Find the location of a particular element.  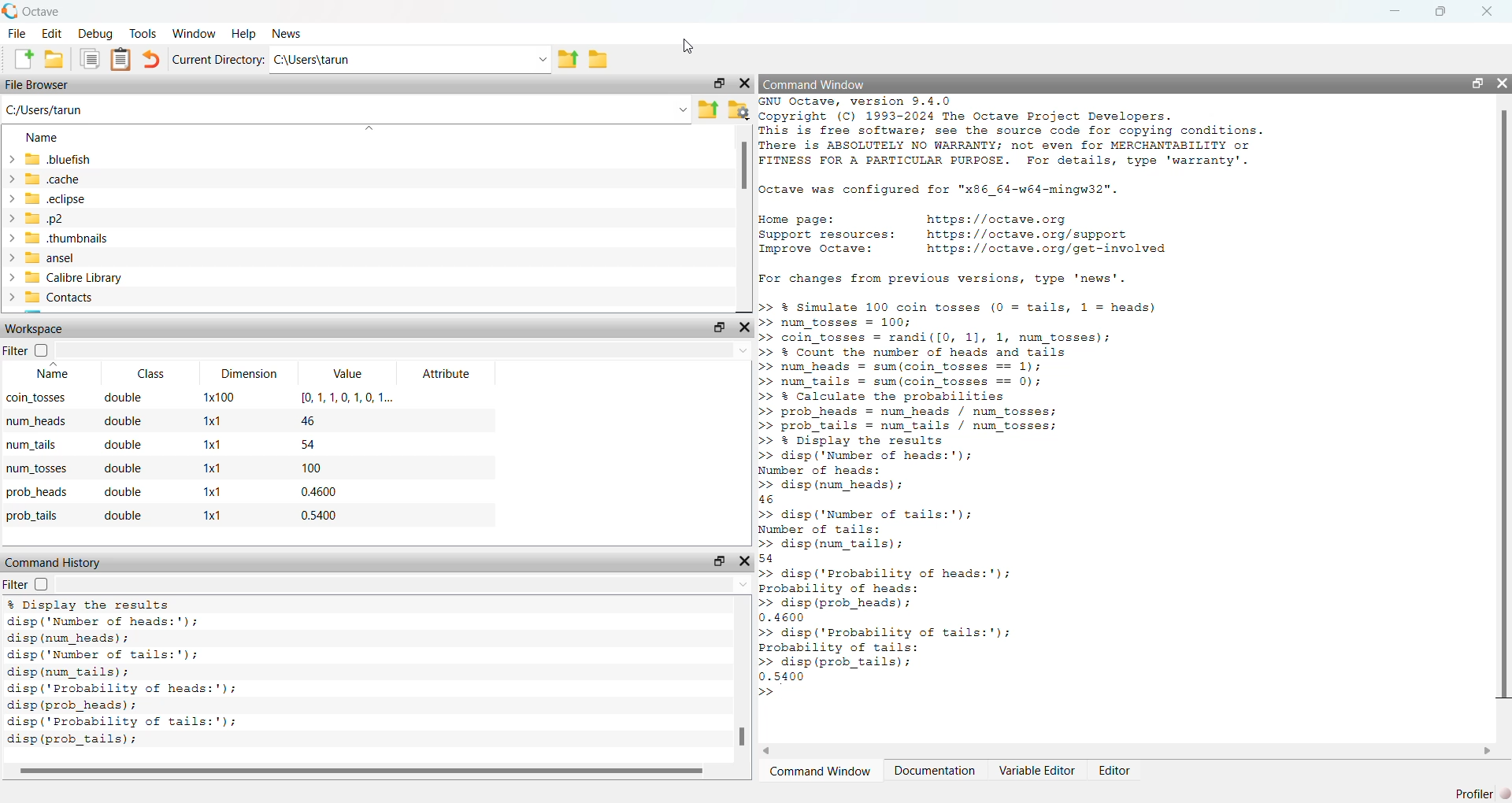

double is located at coordinates (122, 491).